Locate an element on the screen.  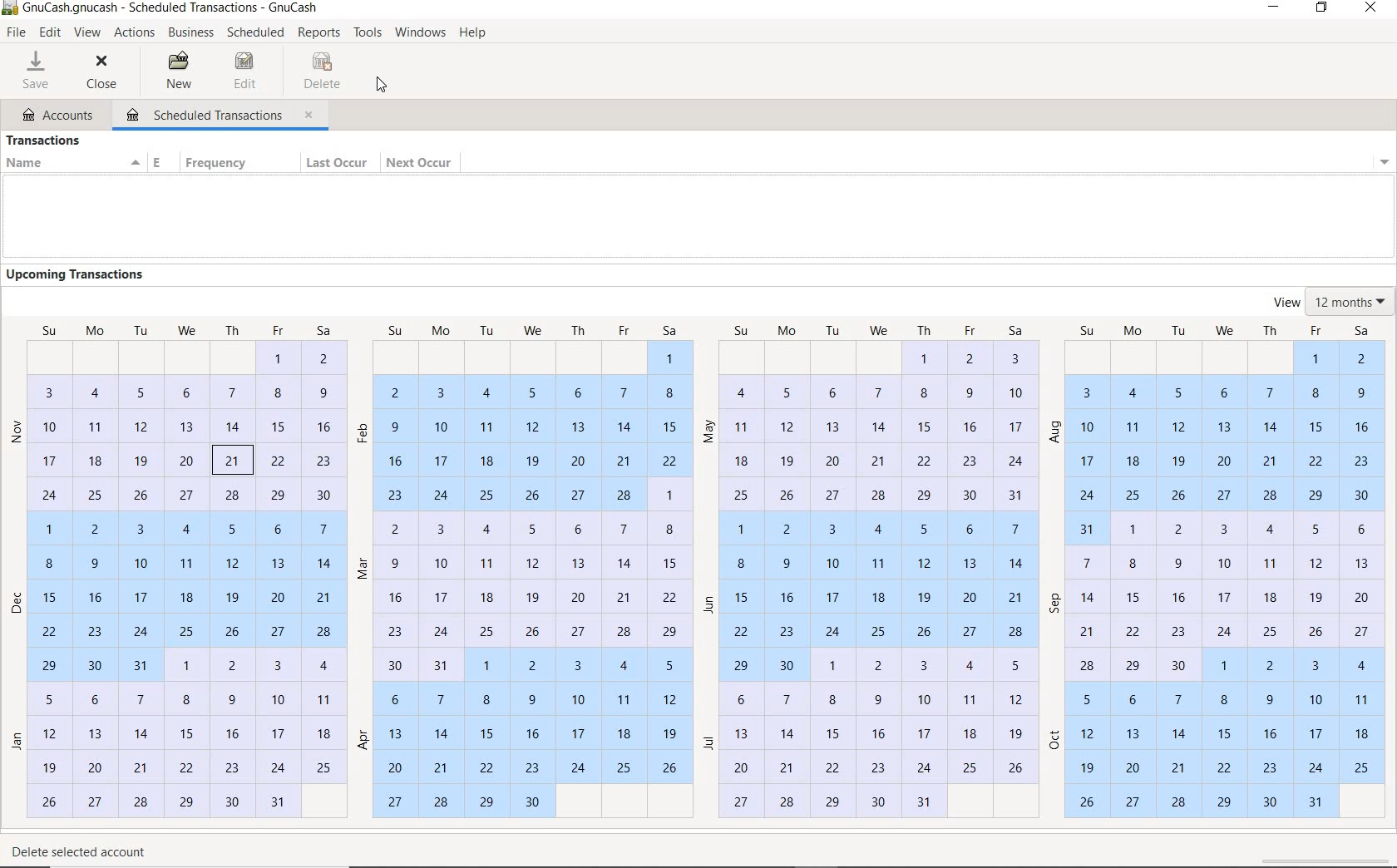
VIEW is located at coordinates (1352, 302).